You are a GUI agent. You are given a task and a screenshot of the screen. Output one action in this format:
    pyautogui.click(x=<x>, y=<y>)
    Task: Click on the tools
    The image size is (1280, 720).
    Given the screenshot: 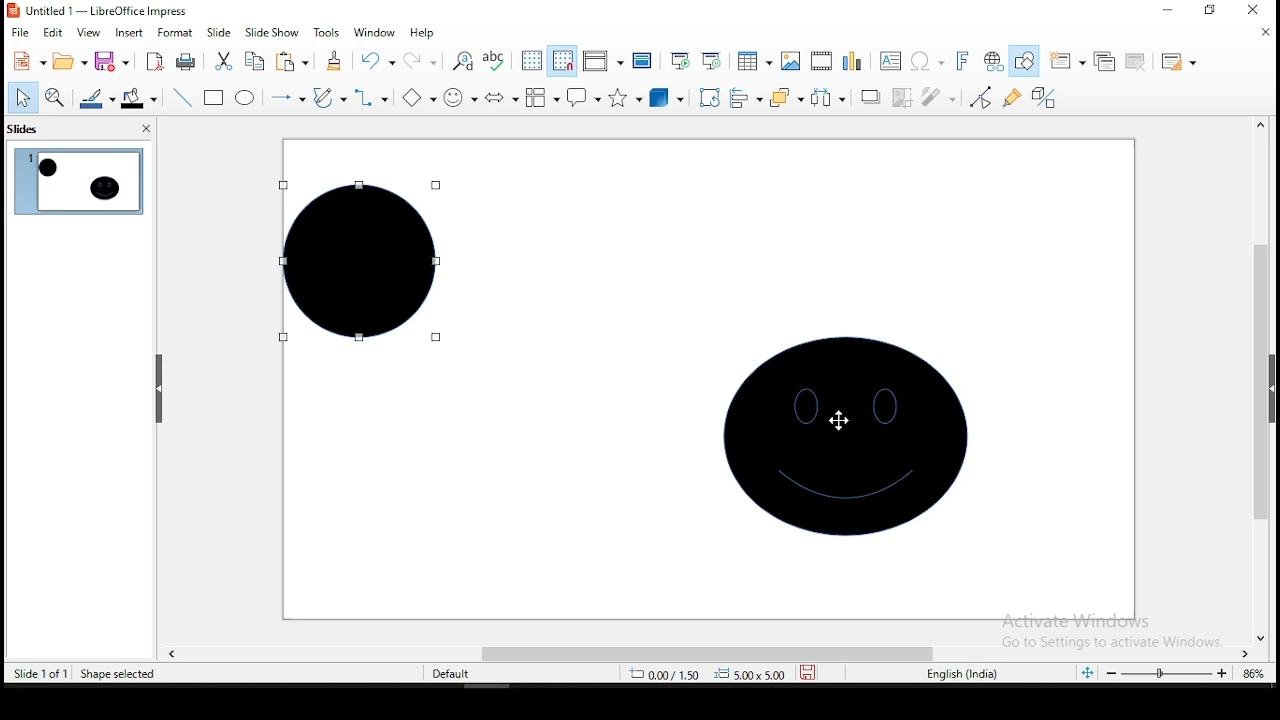 What is the action you would take?
    pyautogui.click(x=324, y=32)
    